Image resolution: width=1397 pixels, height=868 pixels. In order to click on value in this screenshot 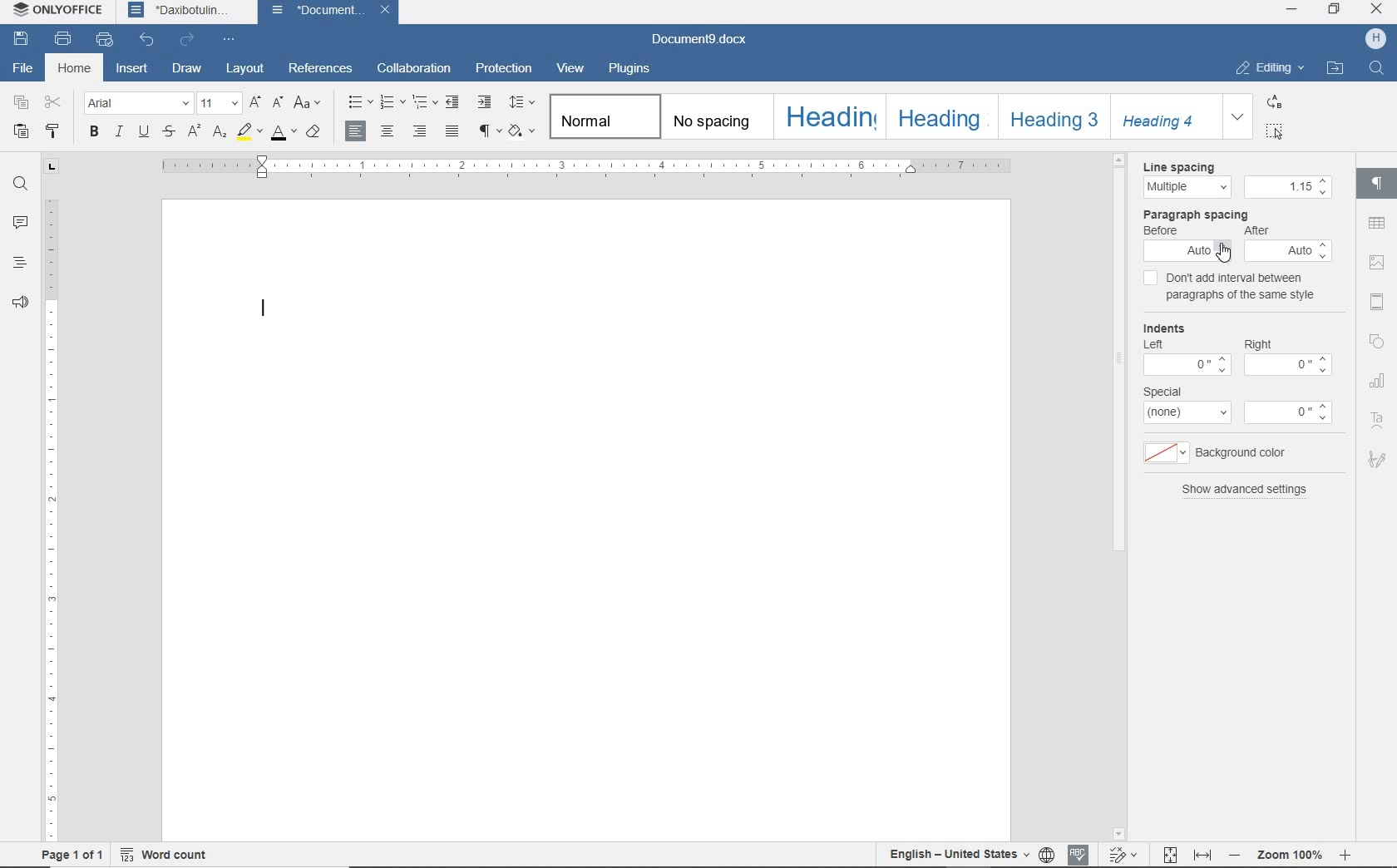, I will do `click(1187, 365)`.